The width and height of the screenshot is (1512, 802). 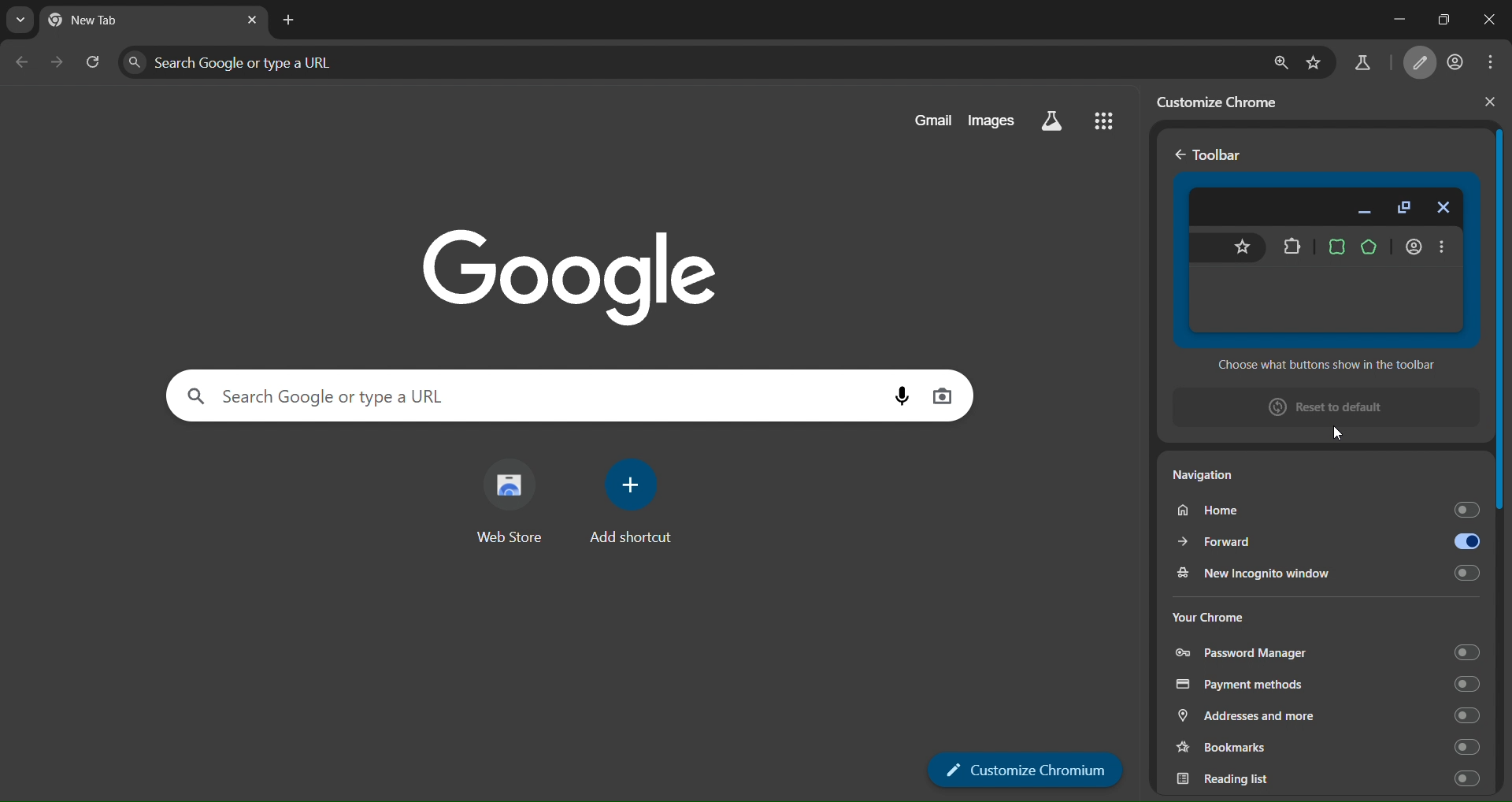 What do you see at coordinates (902, 395) in the screenshot?
I see `voice search` at bounding box center [902, 395].